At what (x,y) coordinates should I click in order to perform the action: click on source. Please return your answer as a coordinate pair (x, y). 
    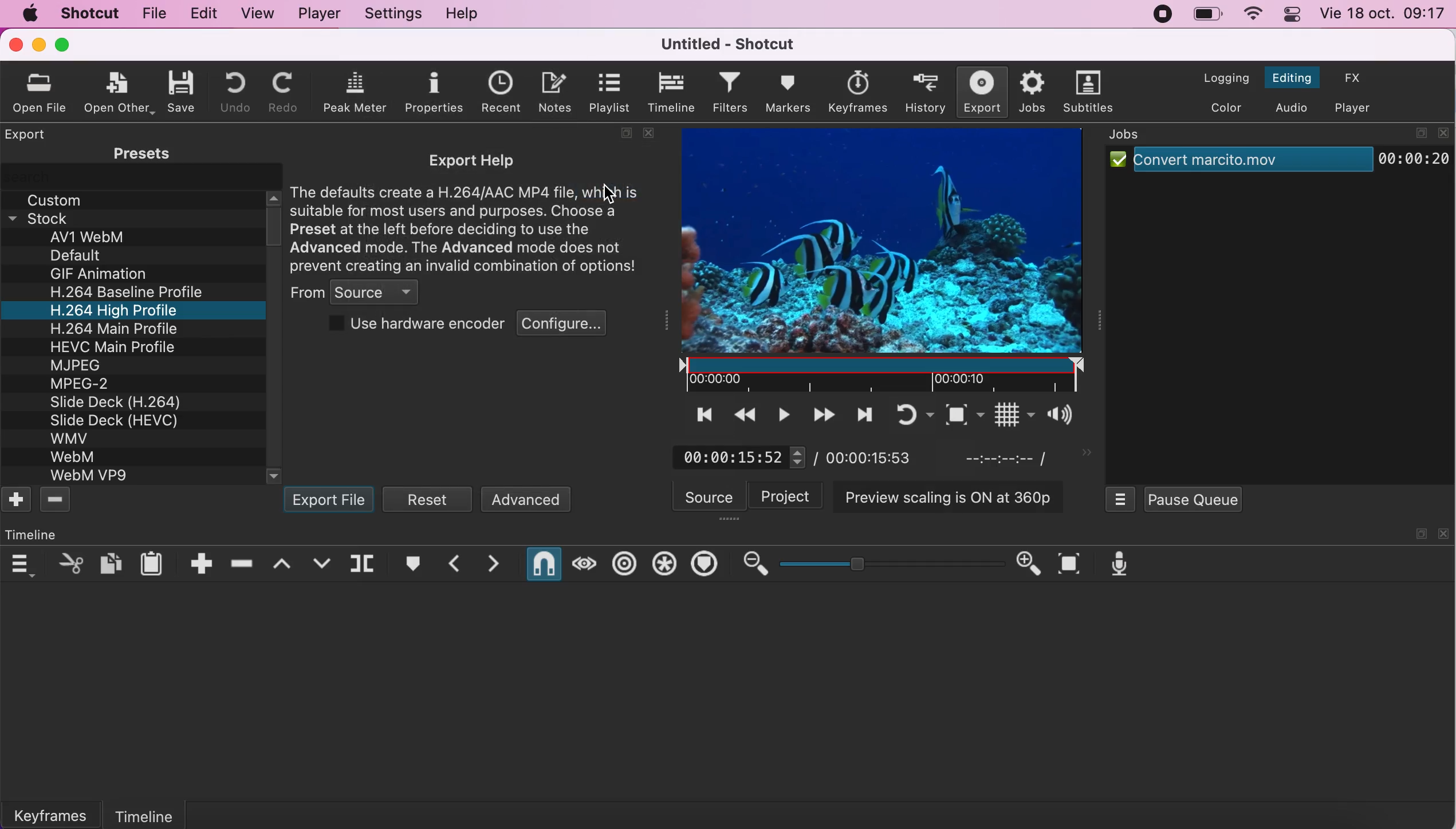
    Looking at the image, I should click on (710, 496).